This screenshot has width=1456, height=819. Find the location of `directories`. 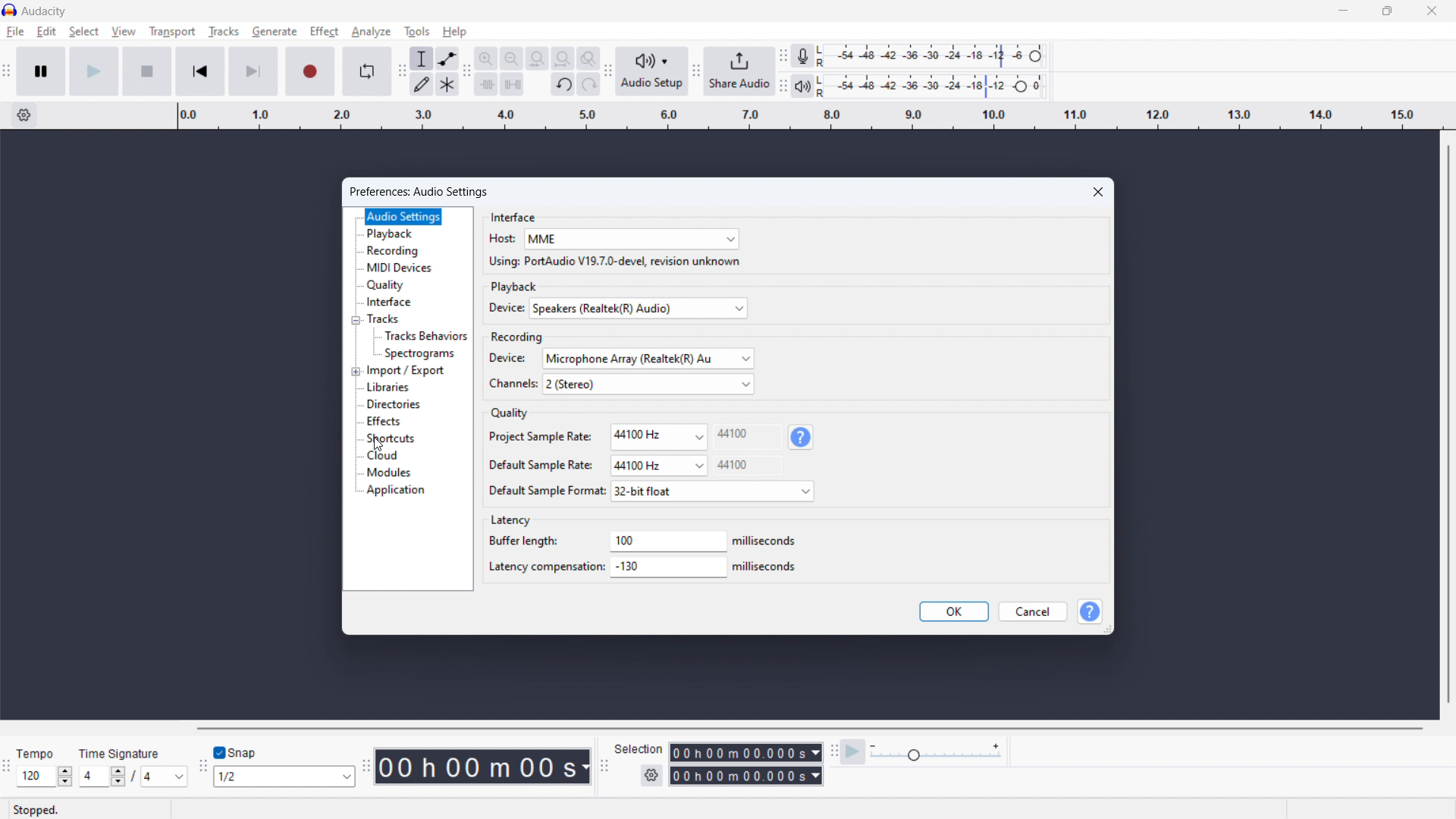

directories is located at coordinates (397, 404).